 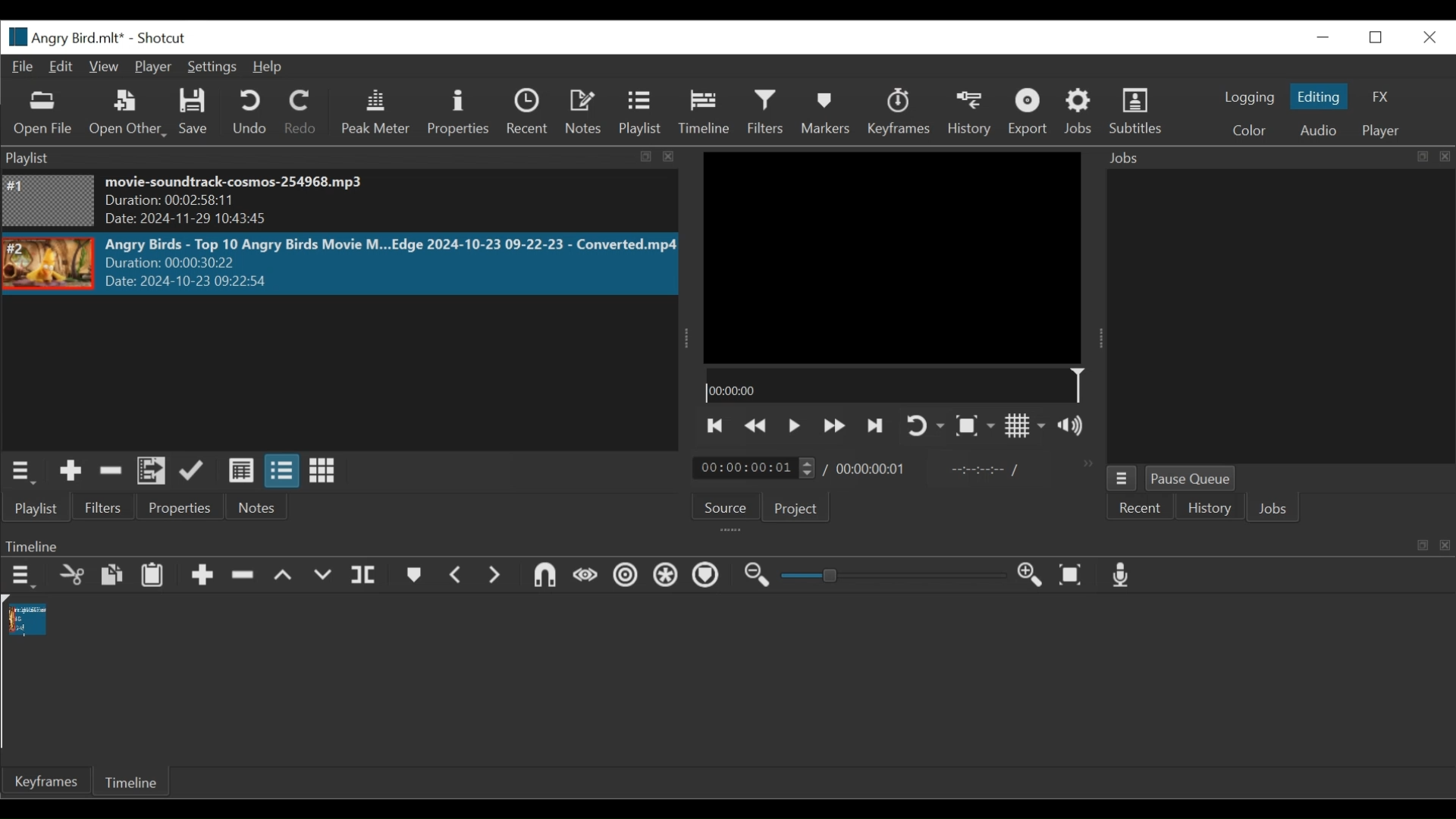 What do you see at coordinates (795, 426) in the screenshot?
I see `Toggle play or pause` at bounding box center [795, 426].